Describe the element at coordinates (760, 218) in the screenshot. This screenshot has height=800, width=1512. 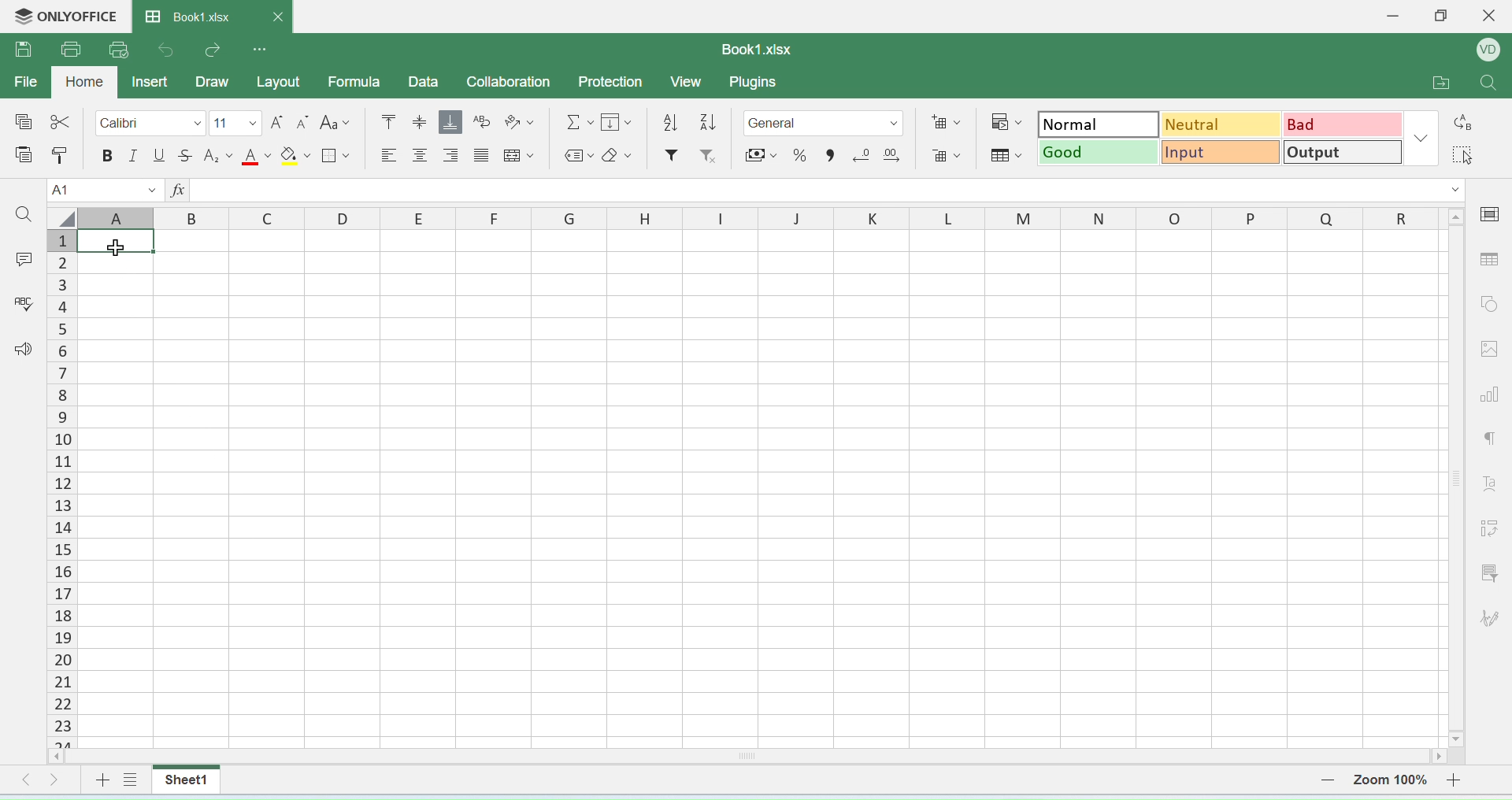
I see `row headers` at that location.